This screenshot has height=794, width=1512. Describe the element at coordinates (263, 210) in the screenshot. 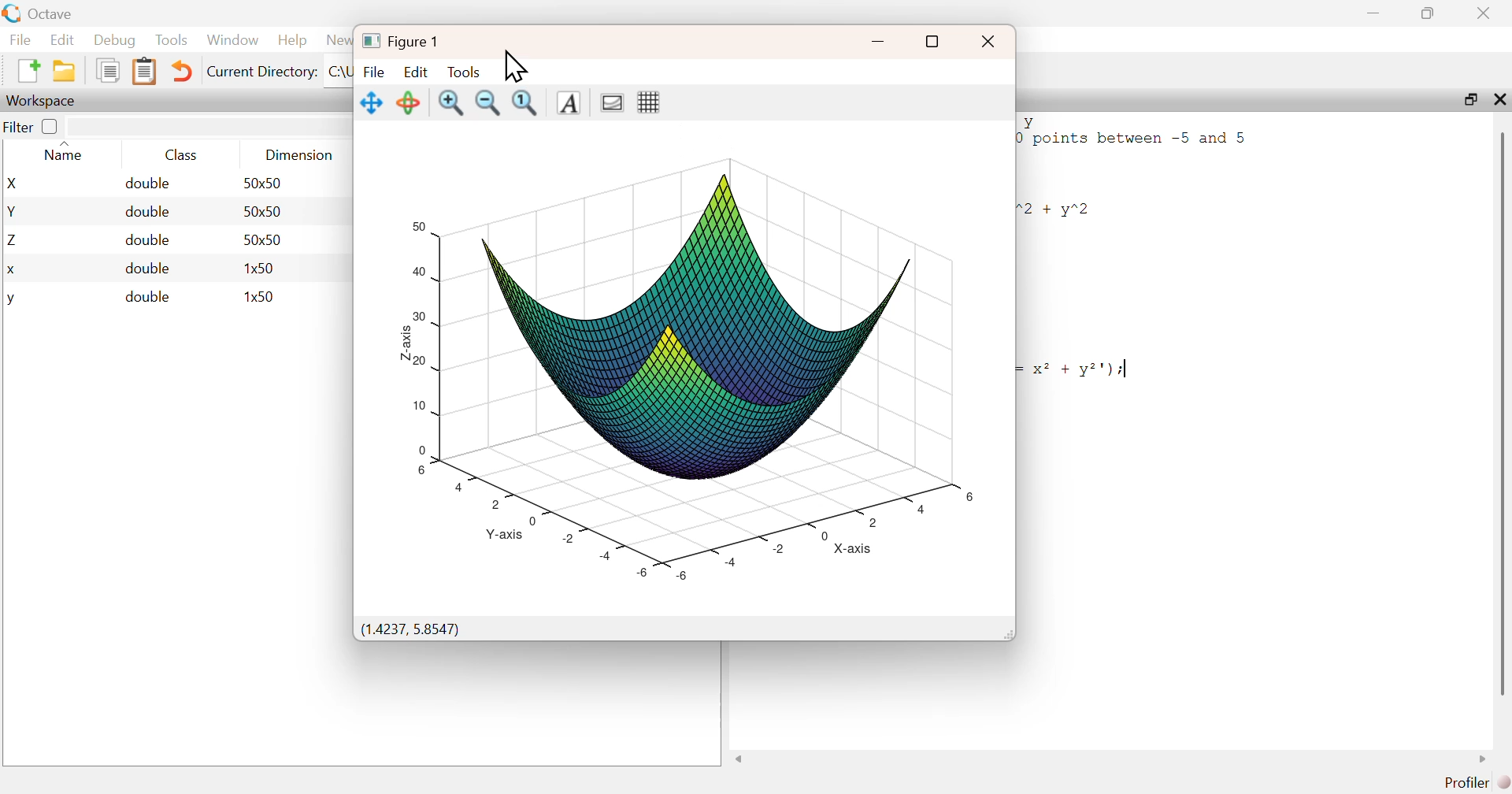

I see `50x50` at that location.